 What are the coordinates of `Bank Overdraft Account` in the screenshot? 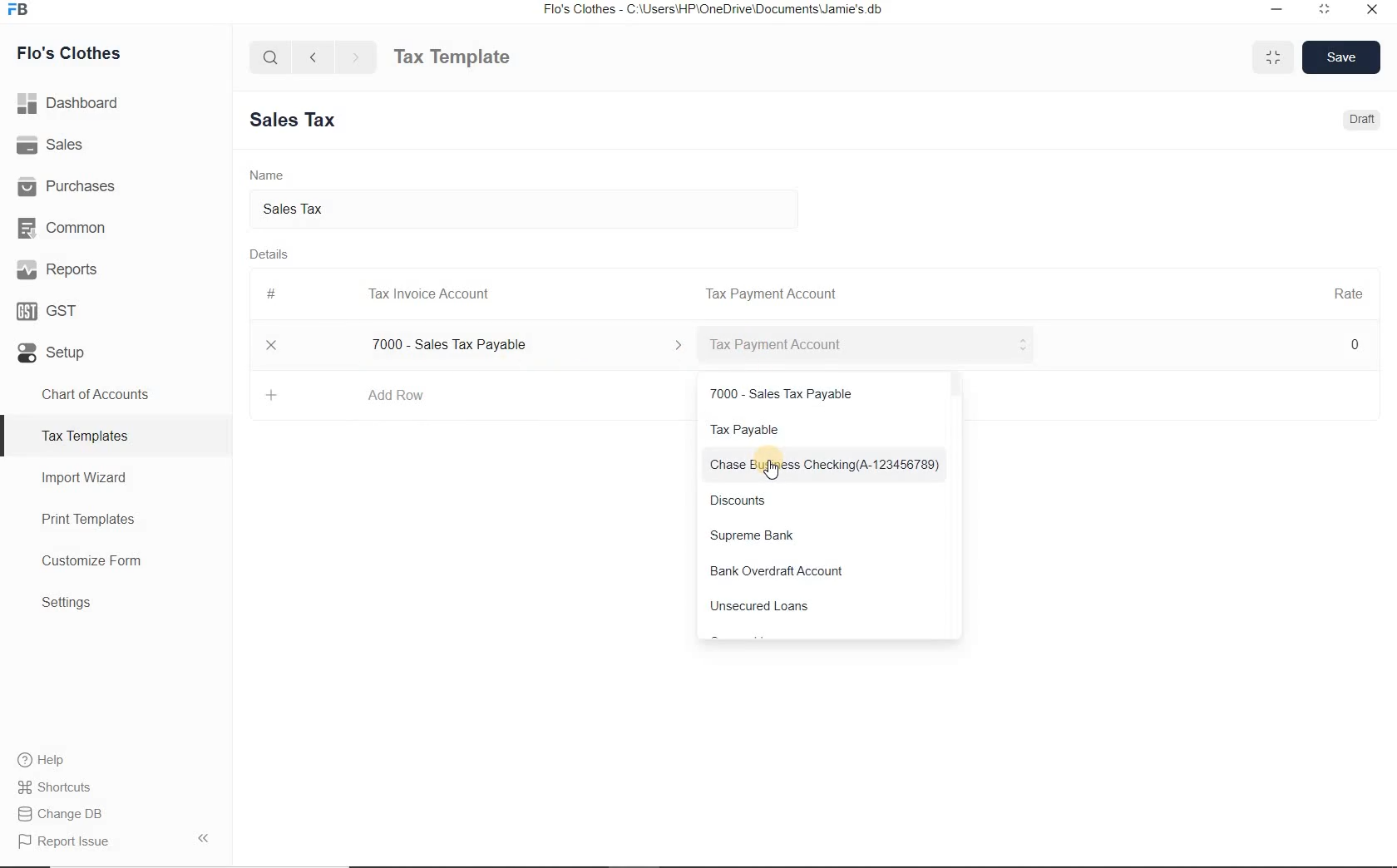 It's located at (827, 572).